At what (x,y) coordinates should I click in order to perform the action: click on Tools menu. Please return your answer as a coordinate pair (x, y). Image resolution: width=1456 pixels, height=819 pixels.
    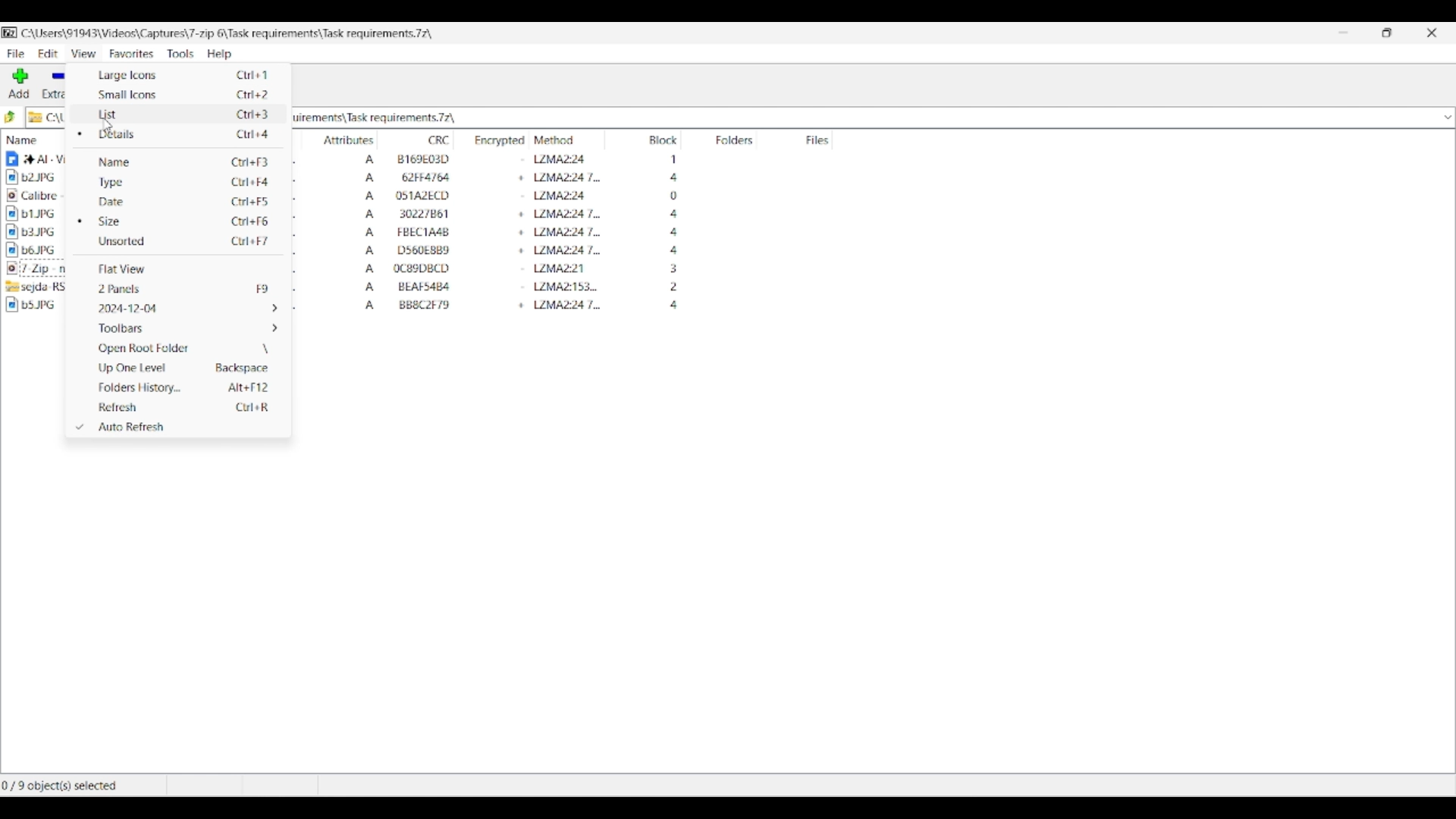
    Looking at the image, I should click on (181, 54).